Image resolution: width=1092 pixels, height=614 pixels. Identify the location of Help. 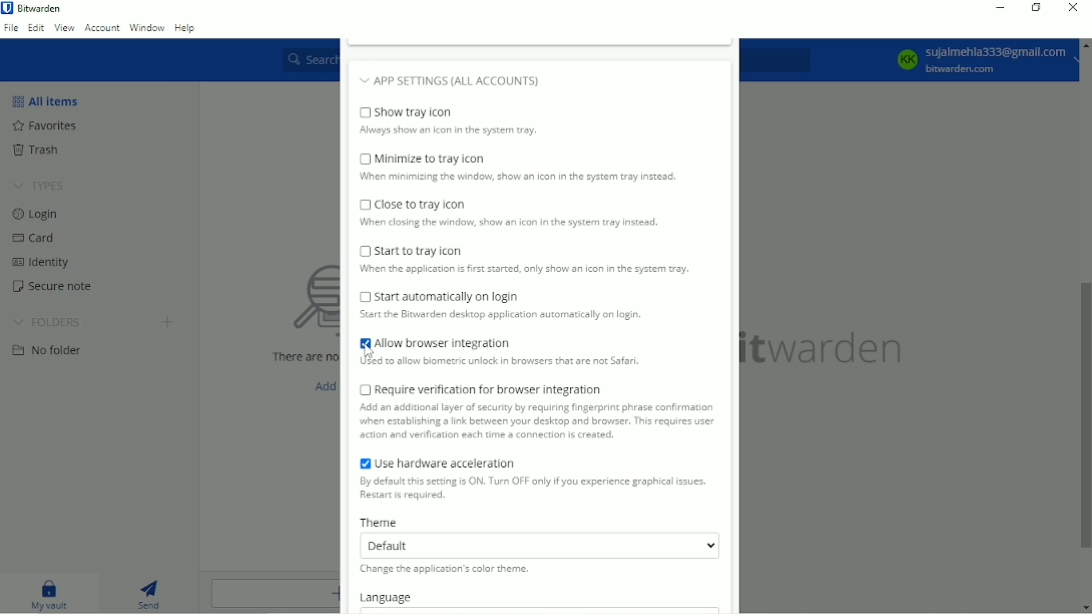
(186, 28).